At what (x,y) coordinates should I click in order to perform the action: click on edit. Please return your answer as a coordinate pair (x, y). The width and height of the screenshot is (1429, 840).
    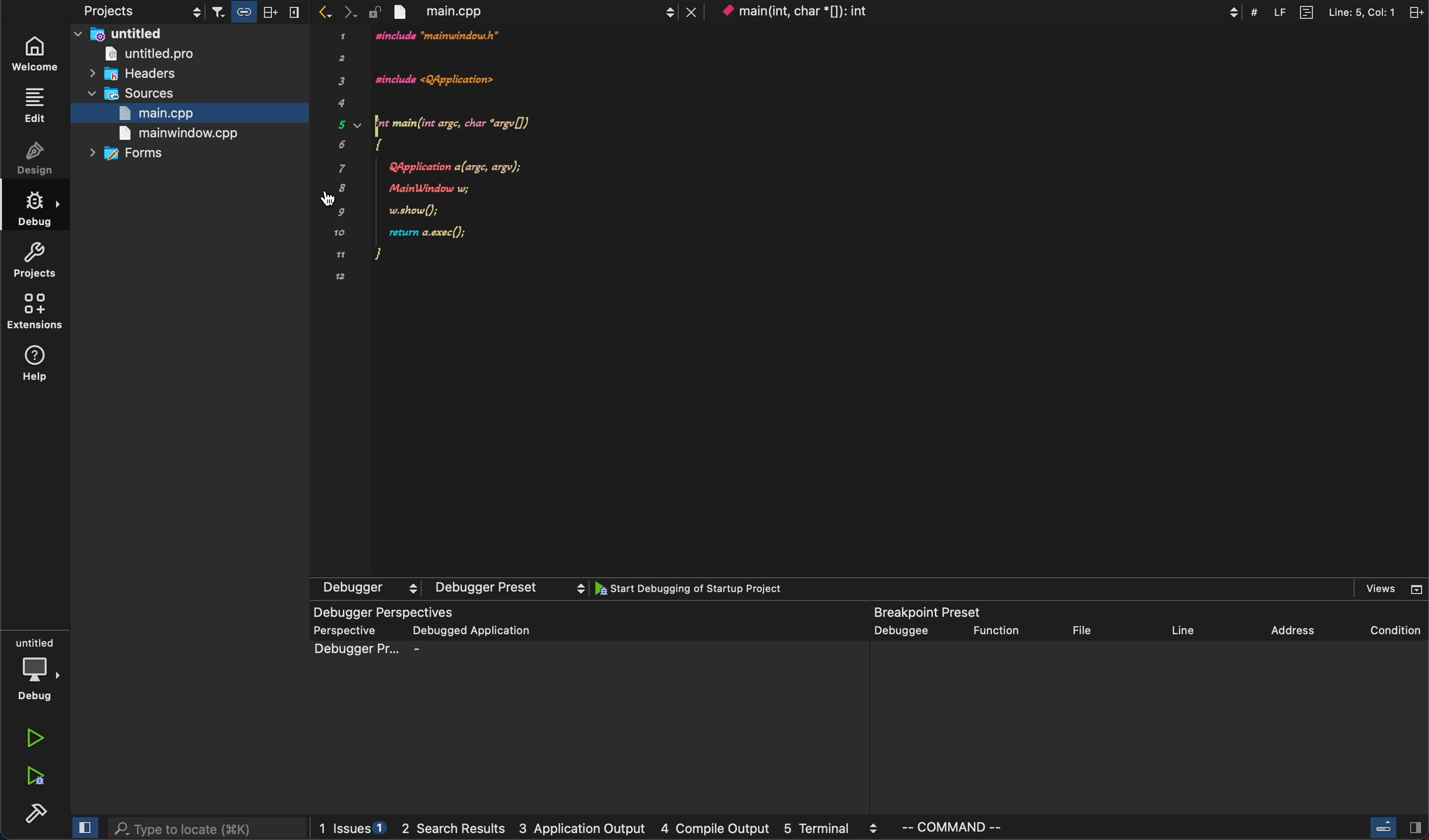
    Looking at the image, I should click on (35, 105).